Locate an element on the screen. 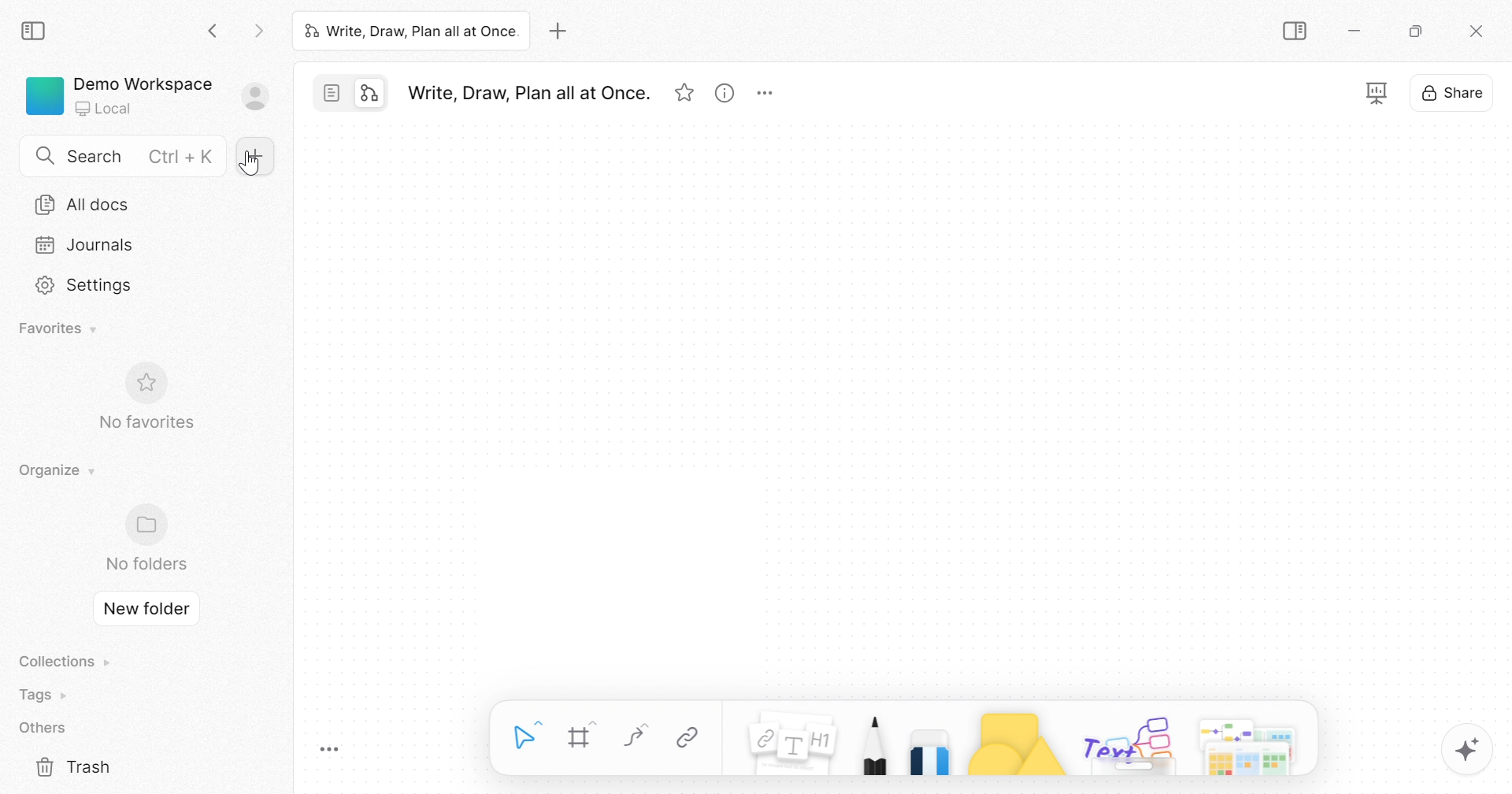 This screenshot has height=794, width=1512. Restore down is located at coordinates (1417, 34).